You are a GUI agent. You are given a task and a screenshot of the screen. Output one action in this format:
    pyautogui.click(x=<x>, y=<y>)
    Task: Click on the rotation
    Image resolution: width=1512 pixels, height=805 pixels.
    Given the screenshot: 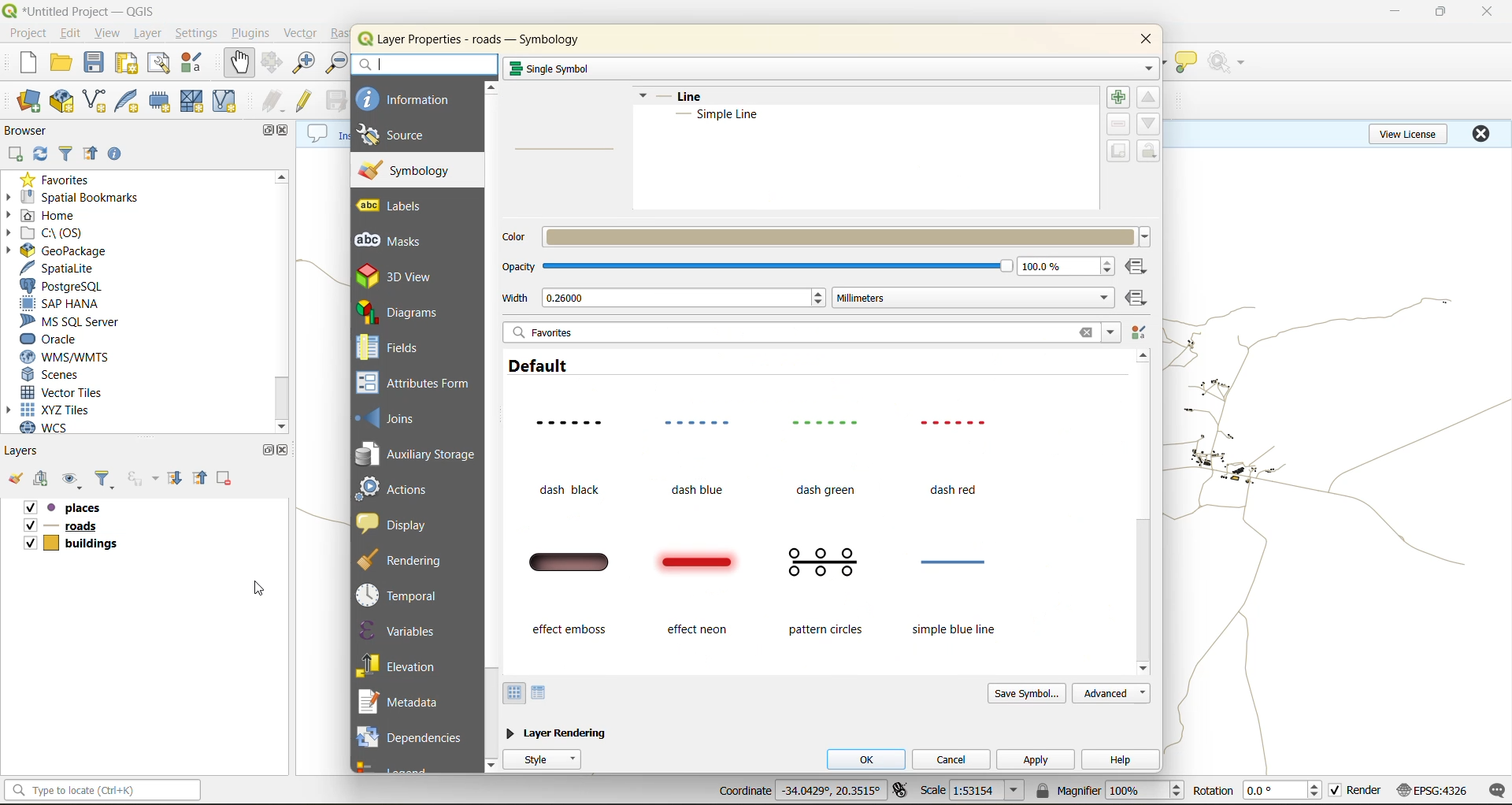 What is the action you would take?
    pyautogui.click(x=1260, y=792)
    